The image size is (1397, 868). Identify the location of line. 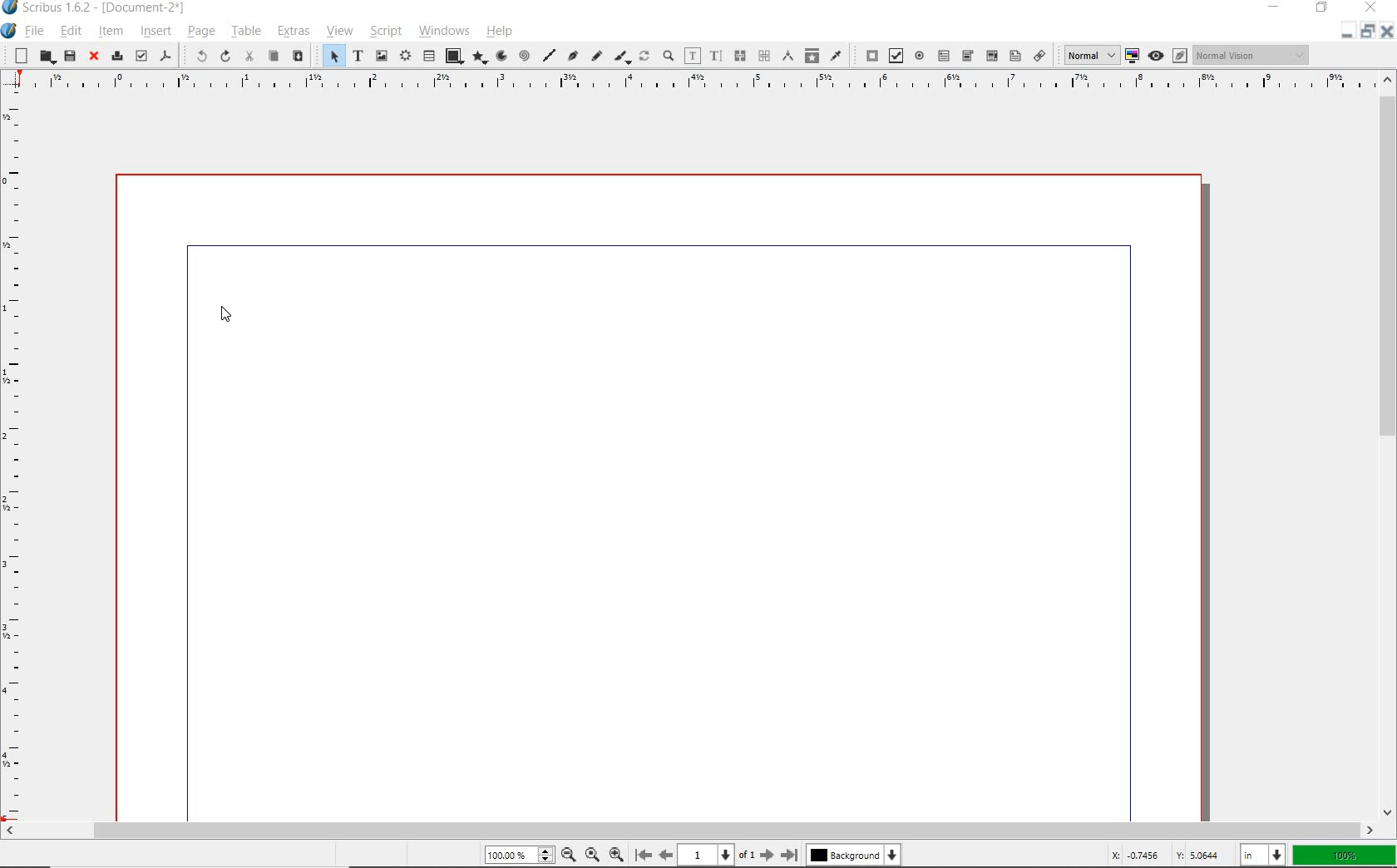
(550, 55).